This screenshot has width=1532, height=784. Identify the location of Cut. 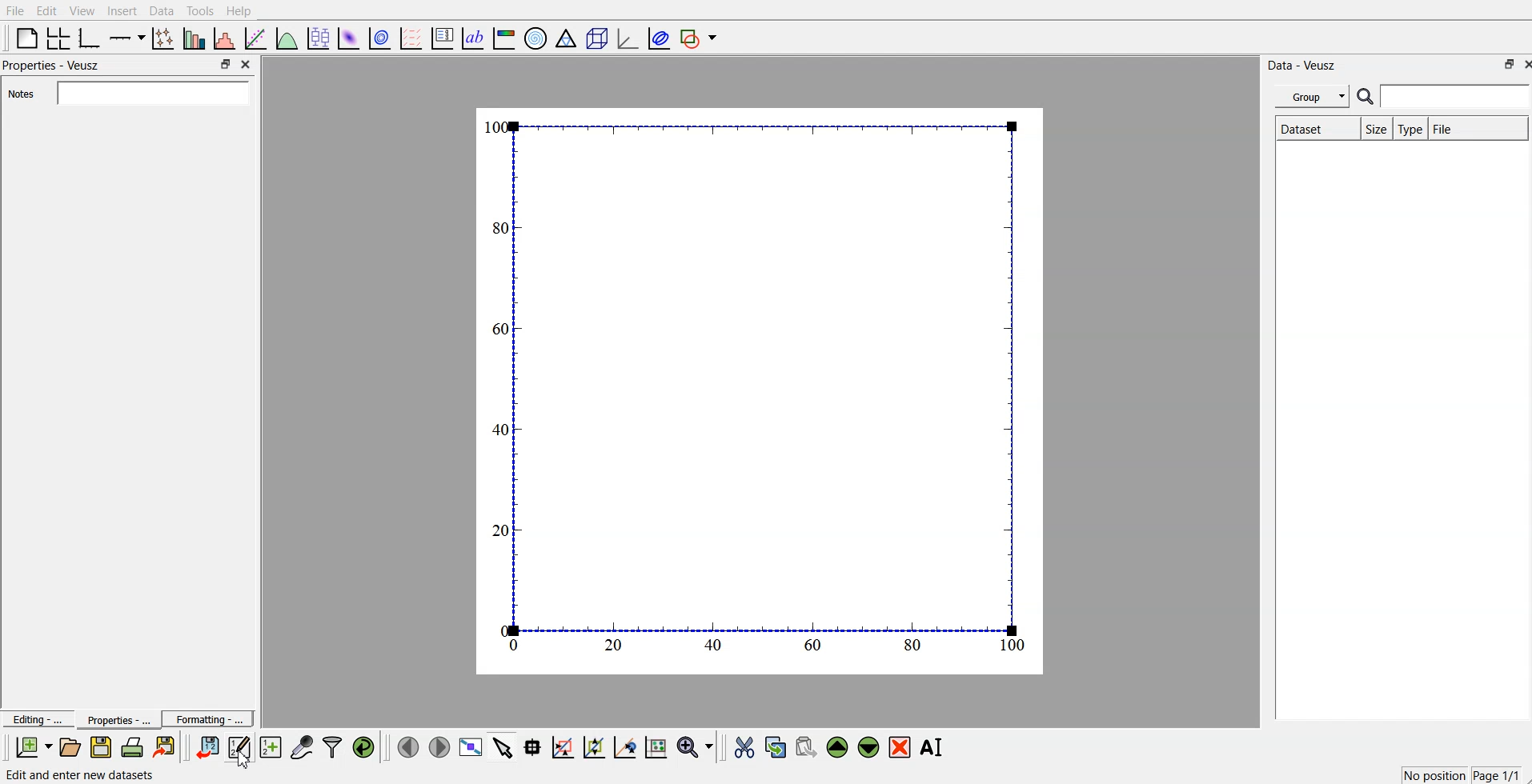
(744, 746).